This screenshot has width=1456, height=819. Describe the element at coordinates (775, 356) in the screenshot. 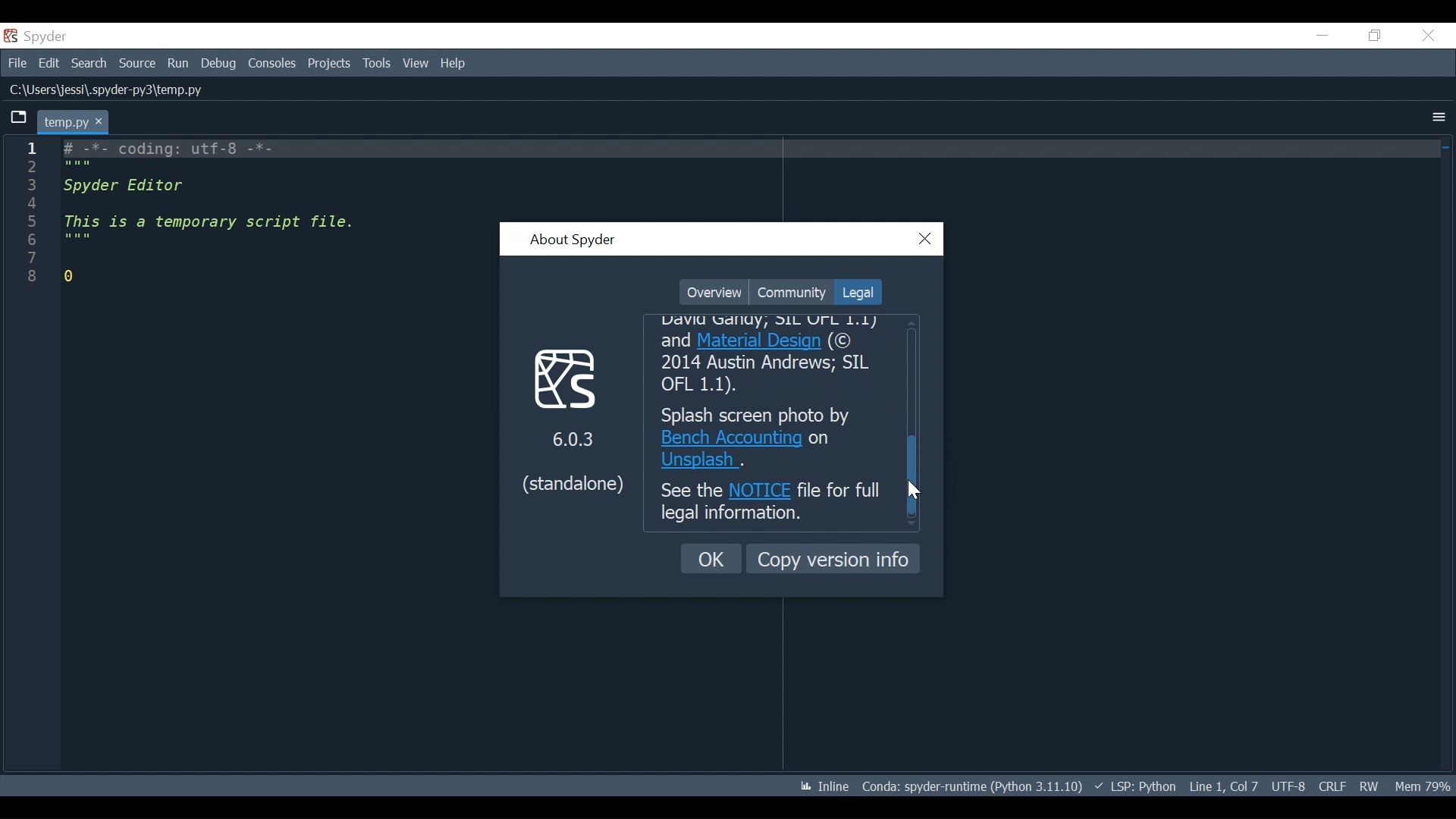

I see `David Gandy; SIL OFL 1.1) and Material Design (© 2014 Austin Andrews; SIL OFL 1.1).` at that location.